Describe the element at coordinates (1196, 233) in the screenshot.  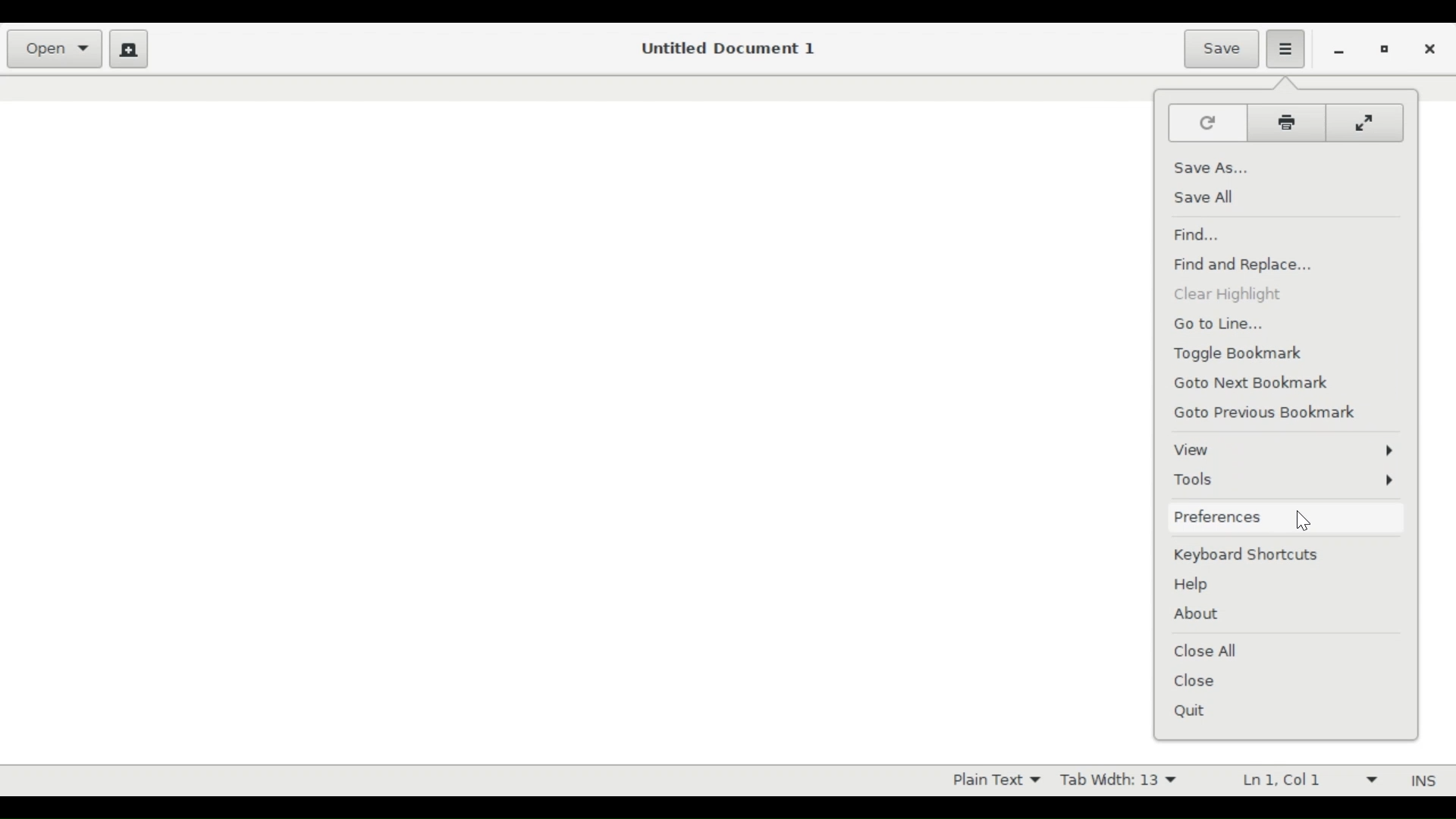
I see `Find` at that location.